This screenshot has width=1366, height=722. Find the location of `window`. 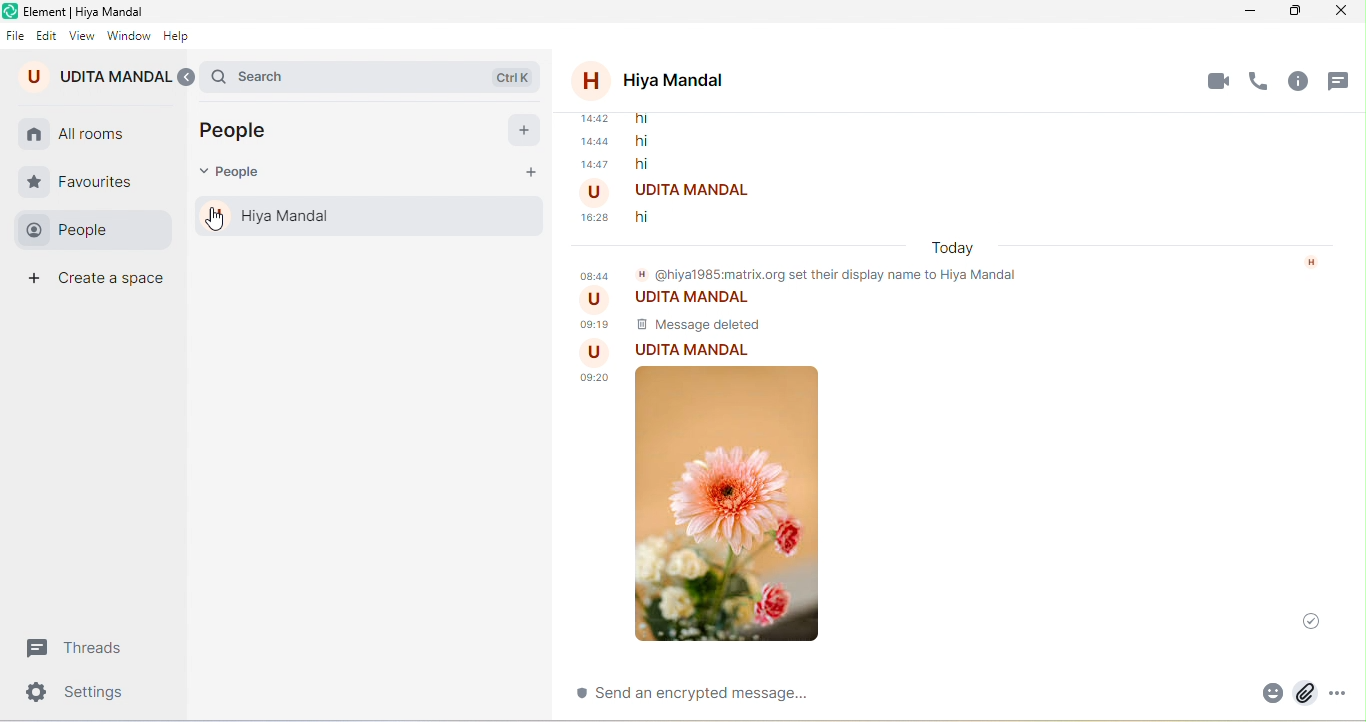

window is located at coordinates (129, 34).